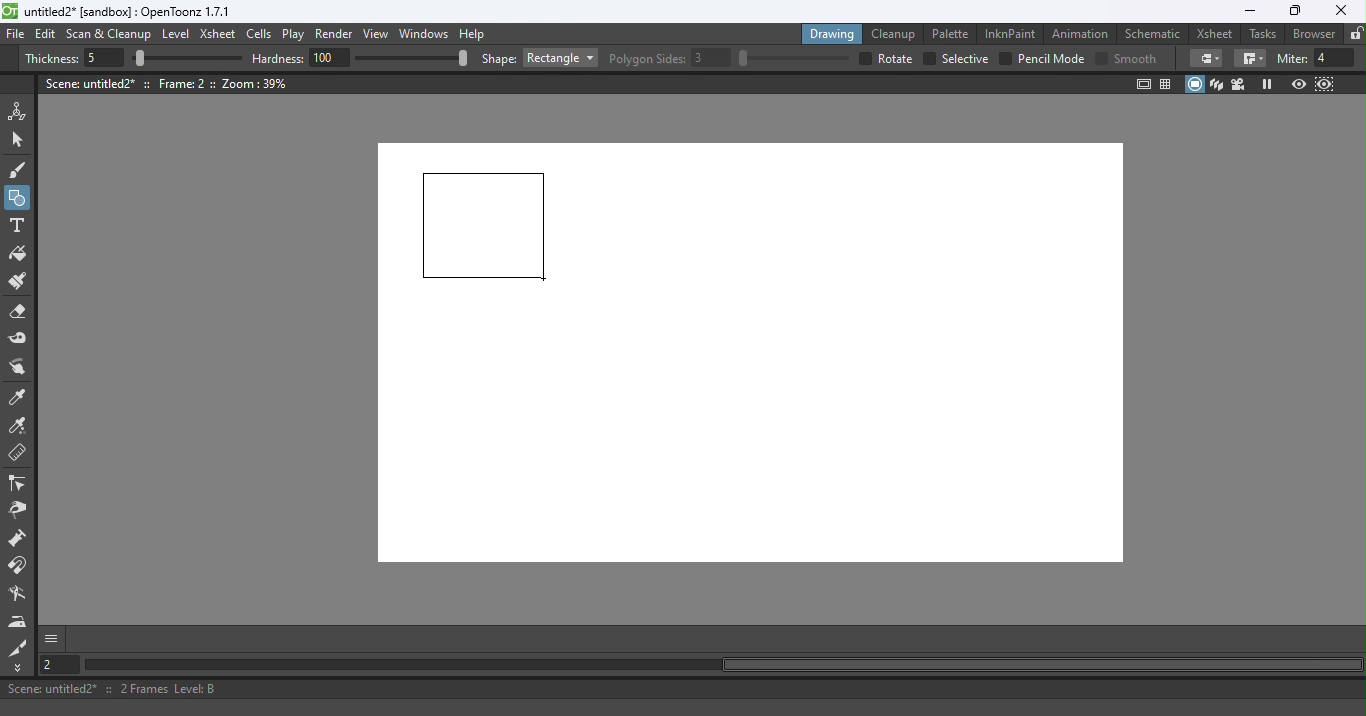  Describe the element at coordinates (330, 57) in the screenshot. I see `100` at that location.